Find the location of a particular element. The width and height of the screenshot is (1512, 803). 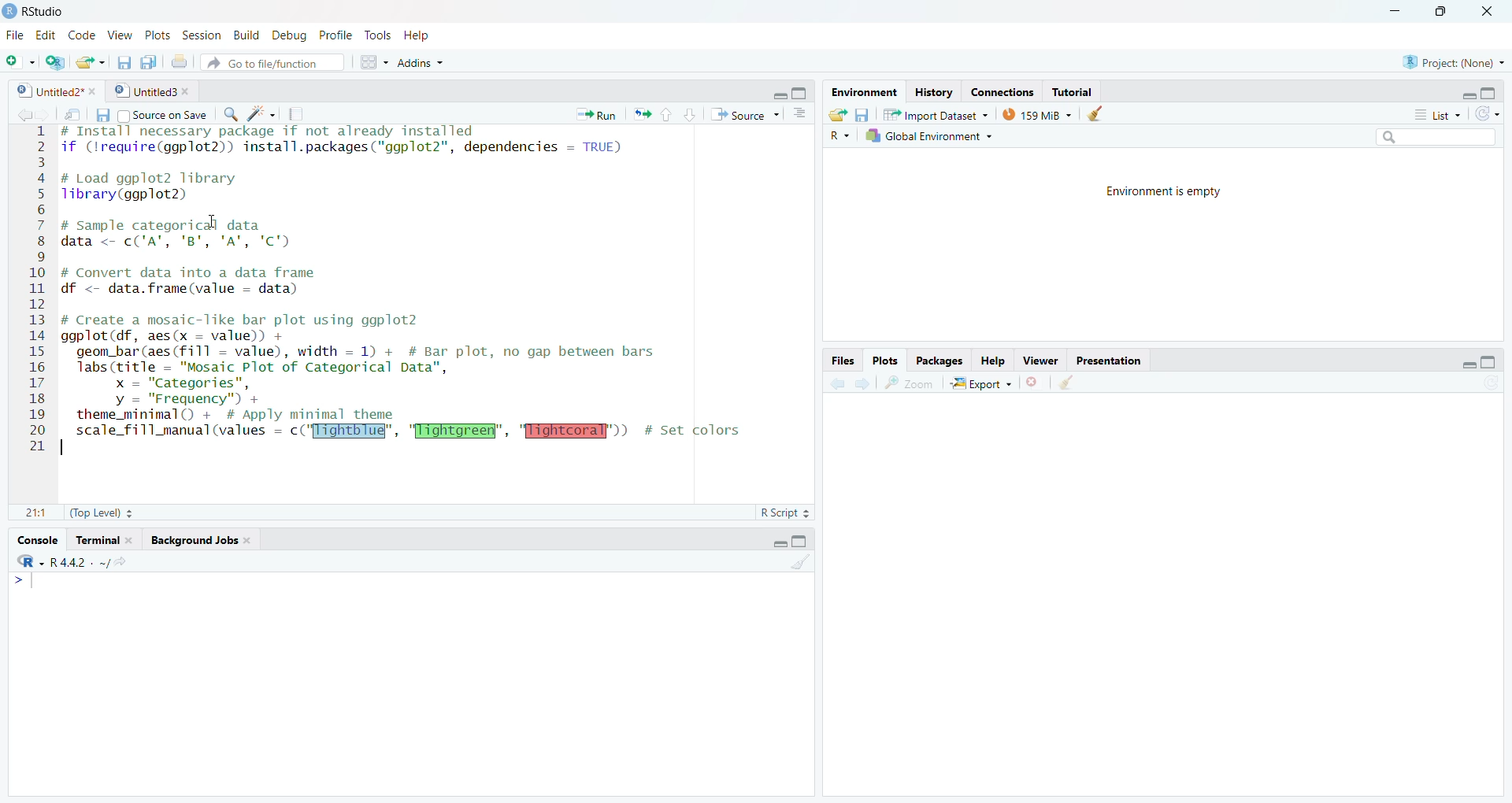

Environment is empty is located at coordinates (1169, 192).